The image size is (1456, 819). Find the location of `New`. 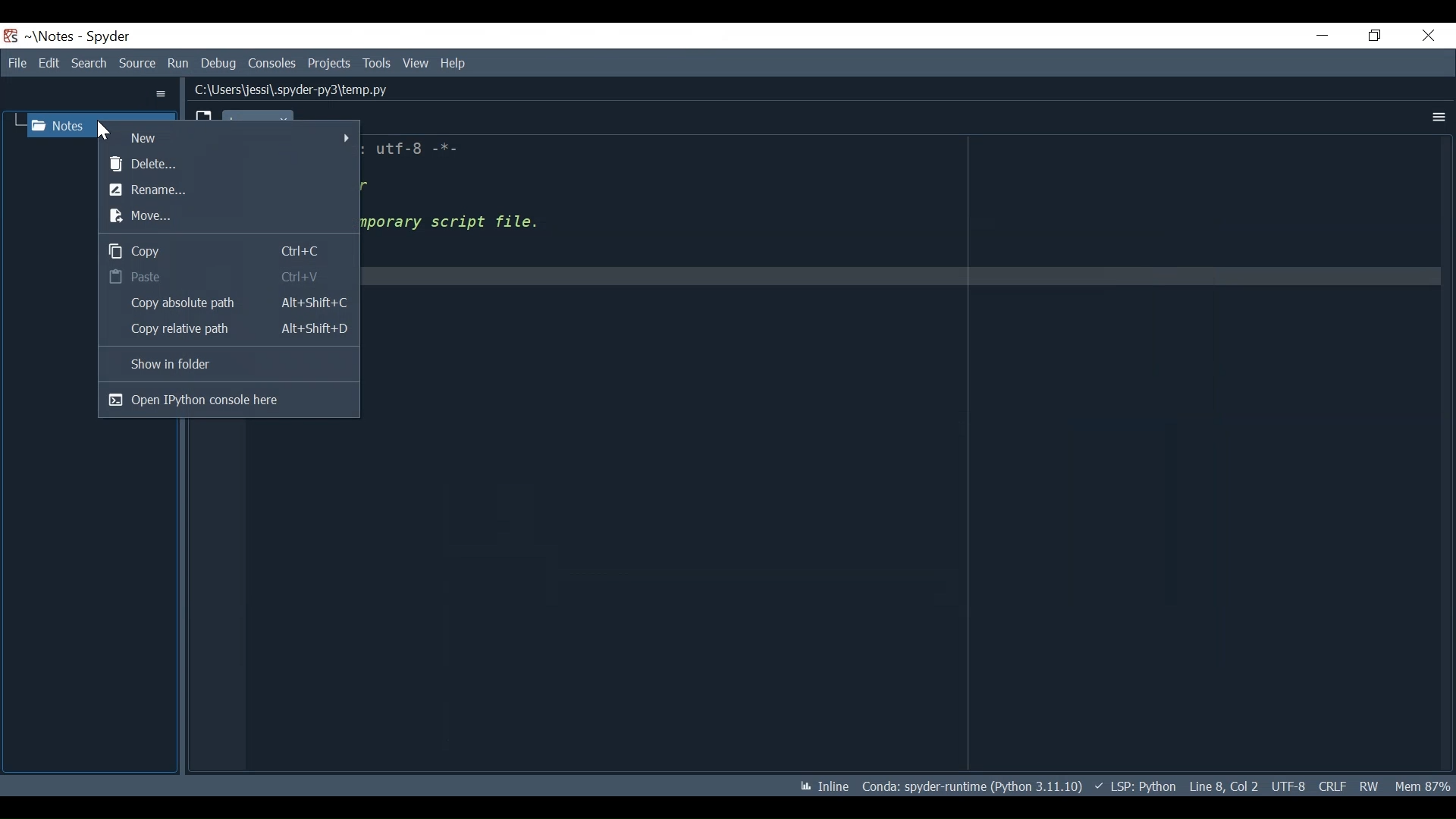

New is located at coordinates (231, 137).